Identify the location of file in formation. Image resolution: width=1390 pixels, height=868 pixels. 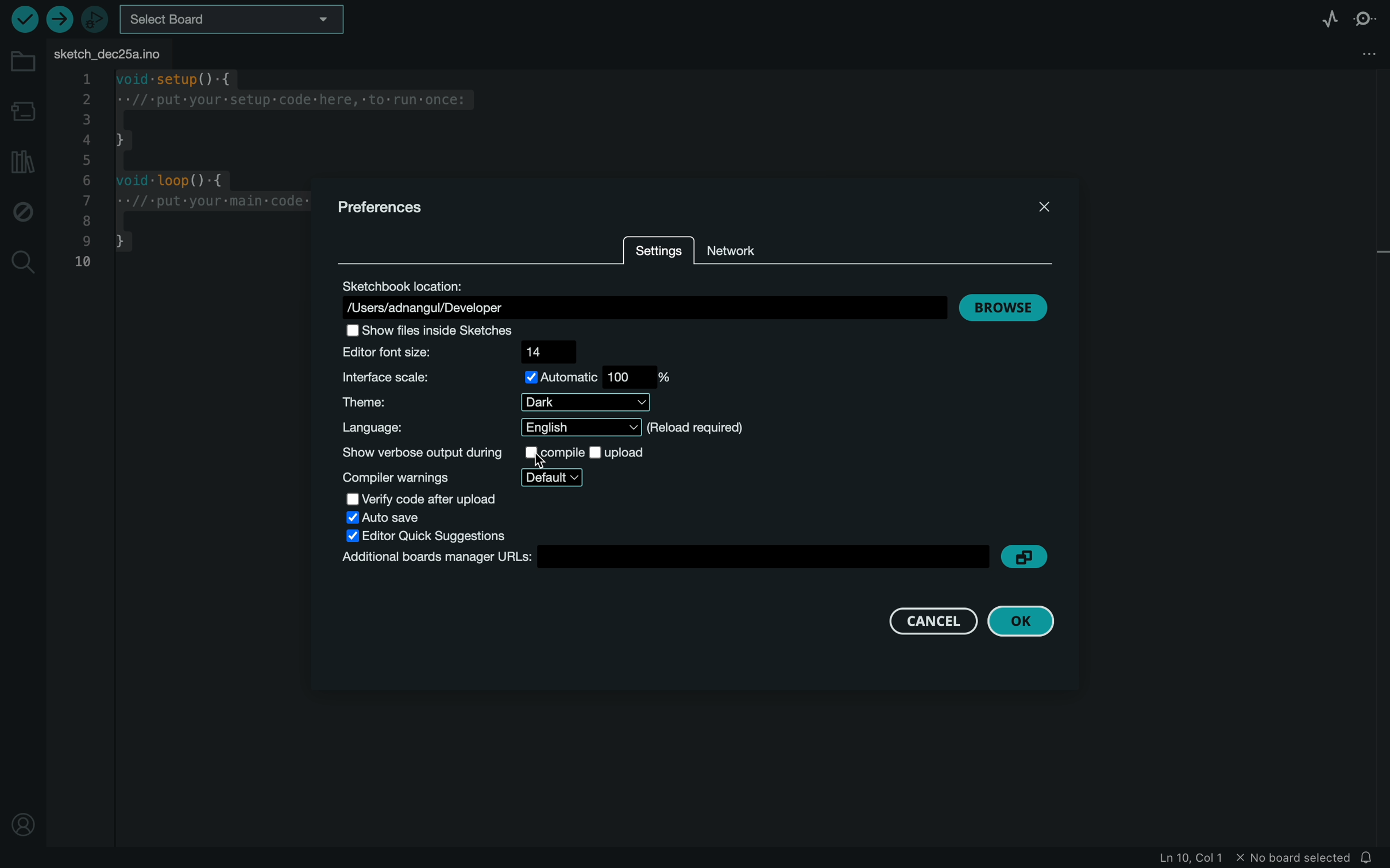
(1211, 859).